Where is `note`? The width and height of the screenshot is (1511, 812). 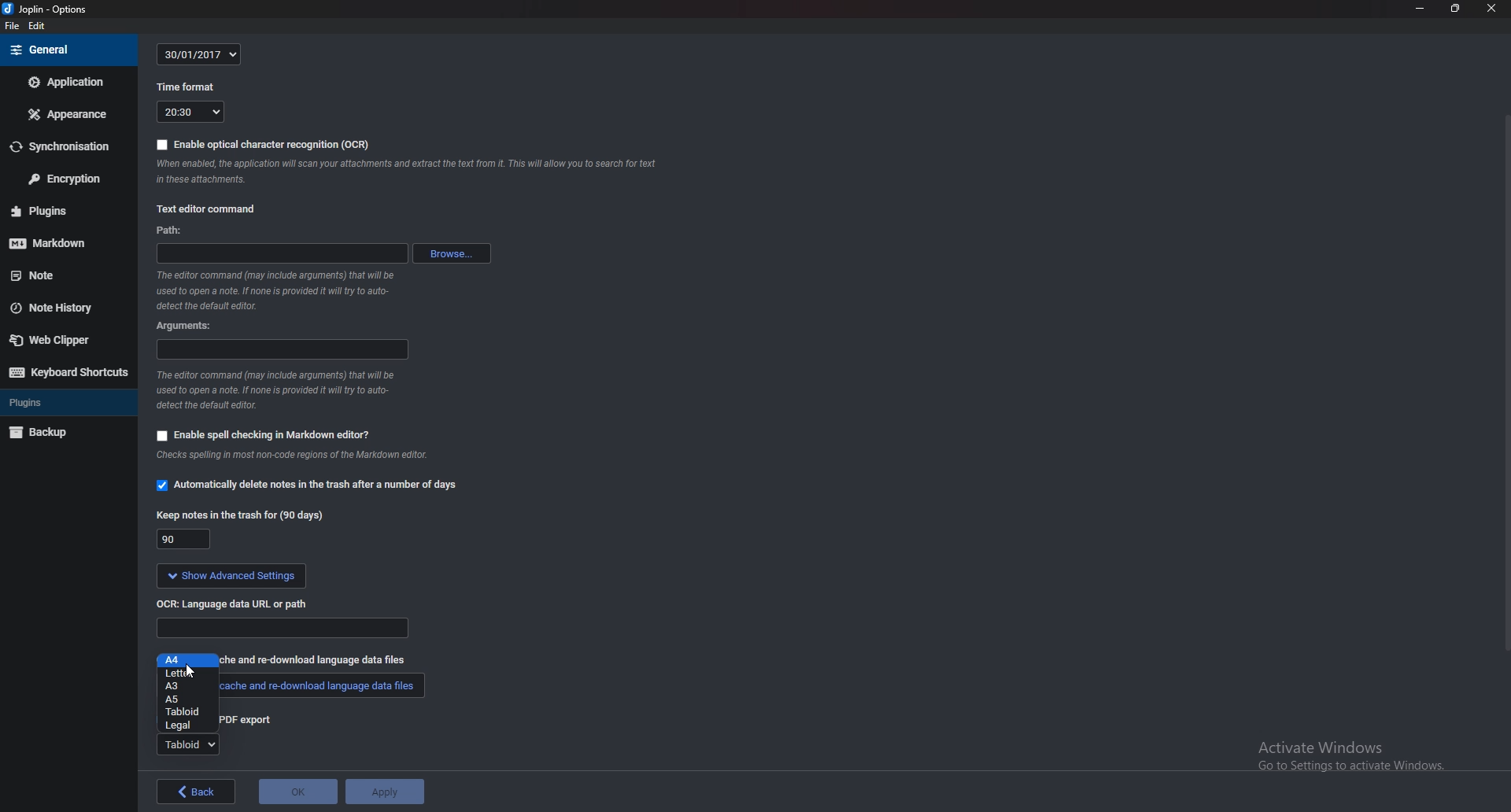
note is located at coordinates (54, 275).